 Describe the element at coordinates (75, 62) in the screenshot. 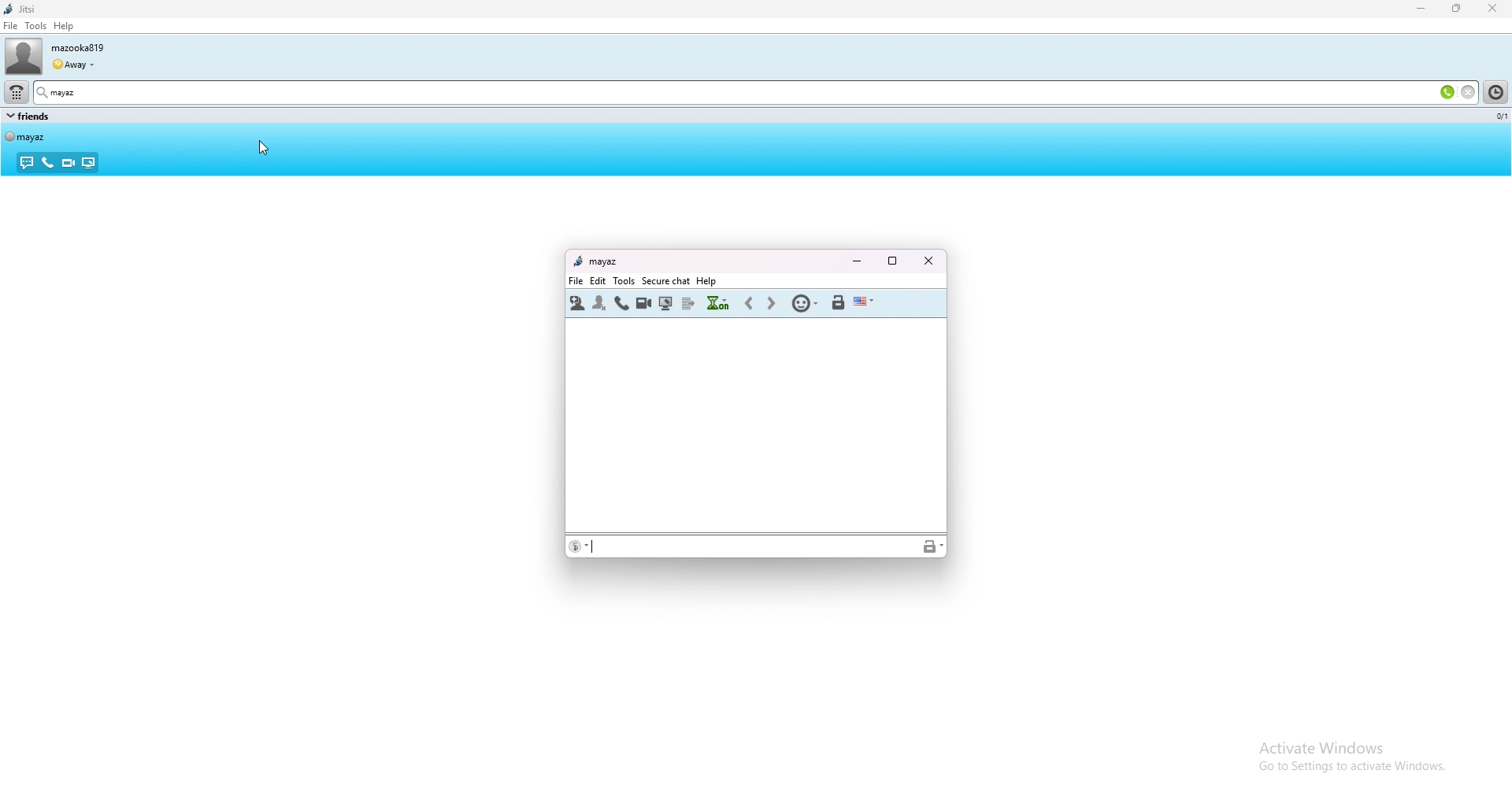

I see `Away ` at that location.